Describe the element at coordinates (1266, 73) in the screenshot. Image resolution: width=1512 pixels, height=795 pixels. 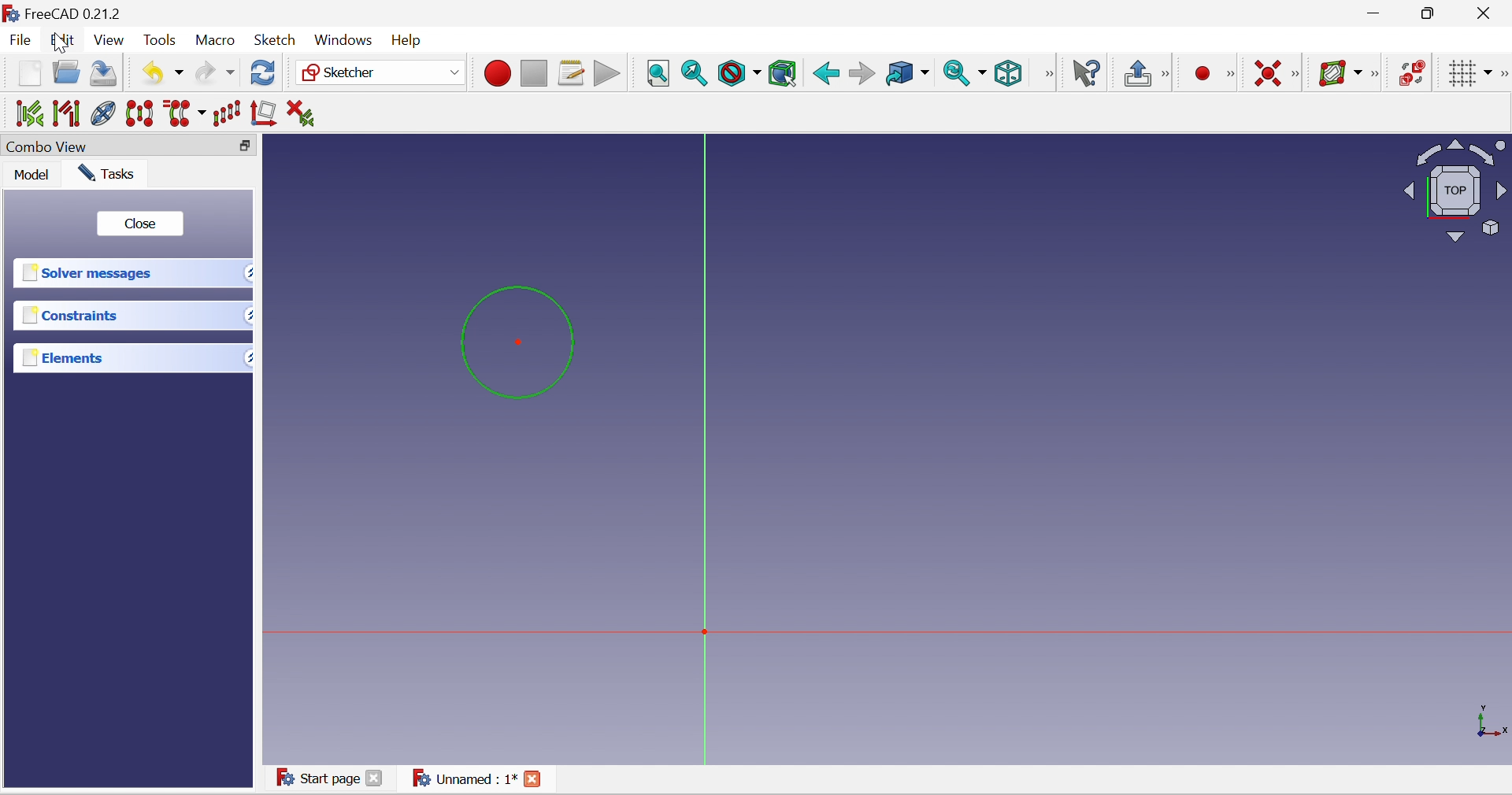
I see `Constrain coincident` at that location.